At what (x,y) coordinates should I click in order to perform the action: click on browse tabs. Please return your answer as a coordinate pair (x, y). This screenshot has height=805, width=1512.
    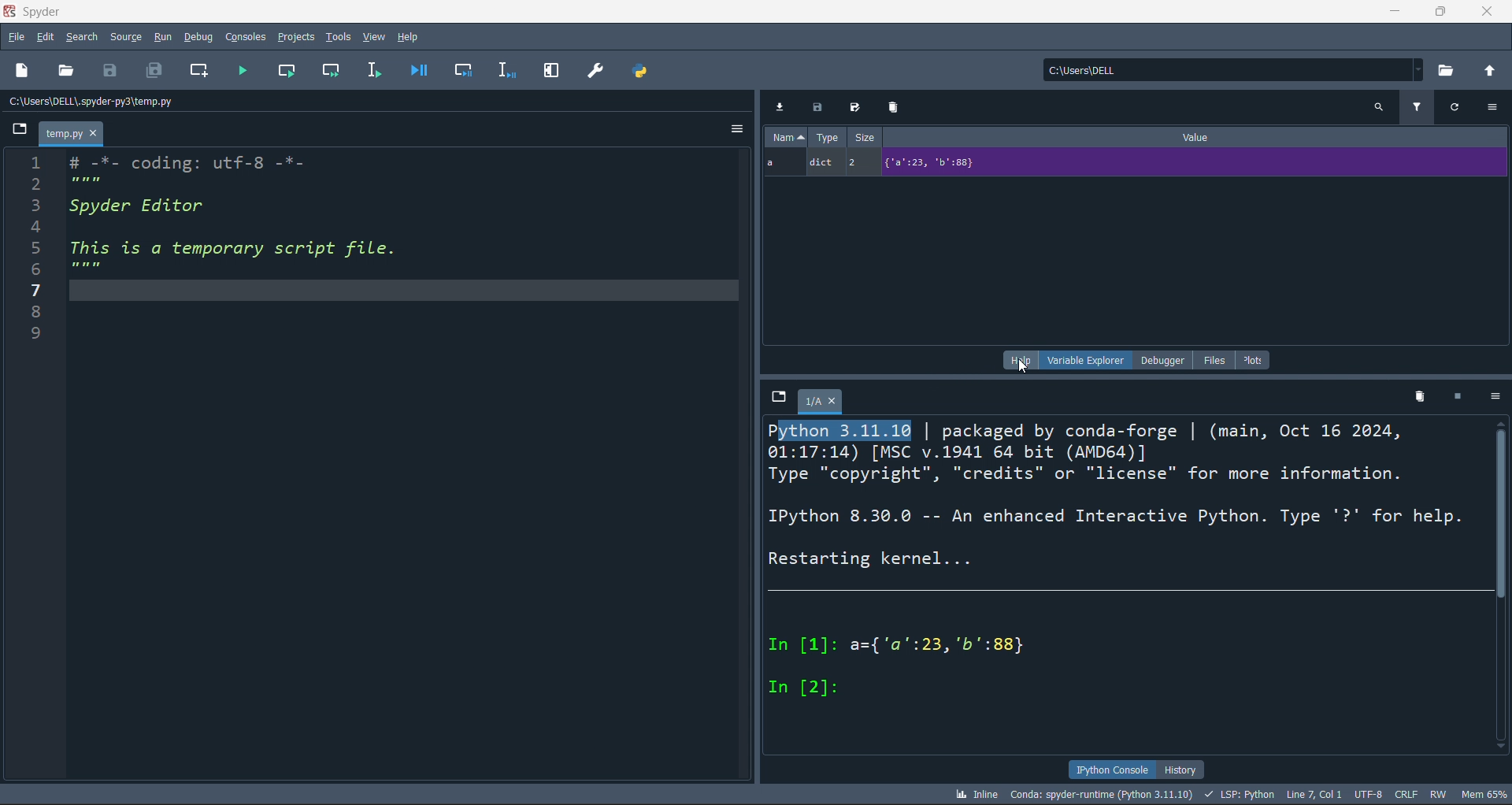
    Looking at the image, I should click on (774, 402).